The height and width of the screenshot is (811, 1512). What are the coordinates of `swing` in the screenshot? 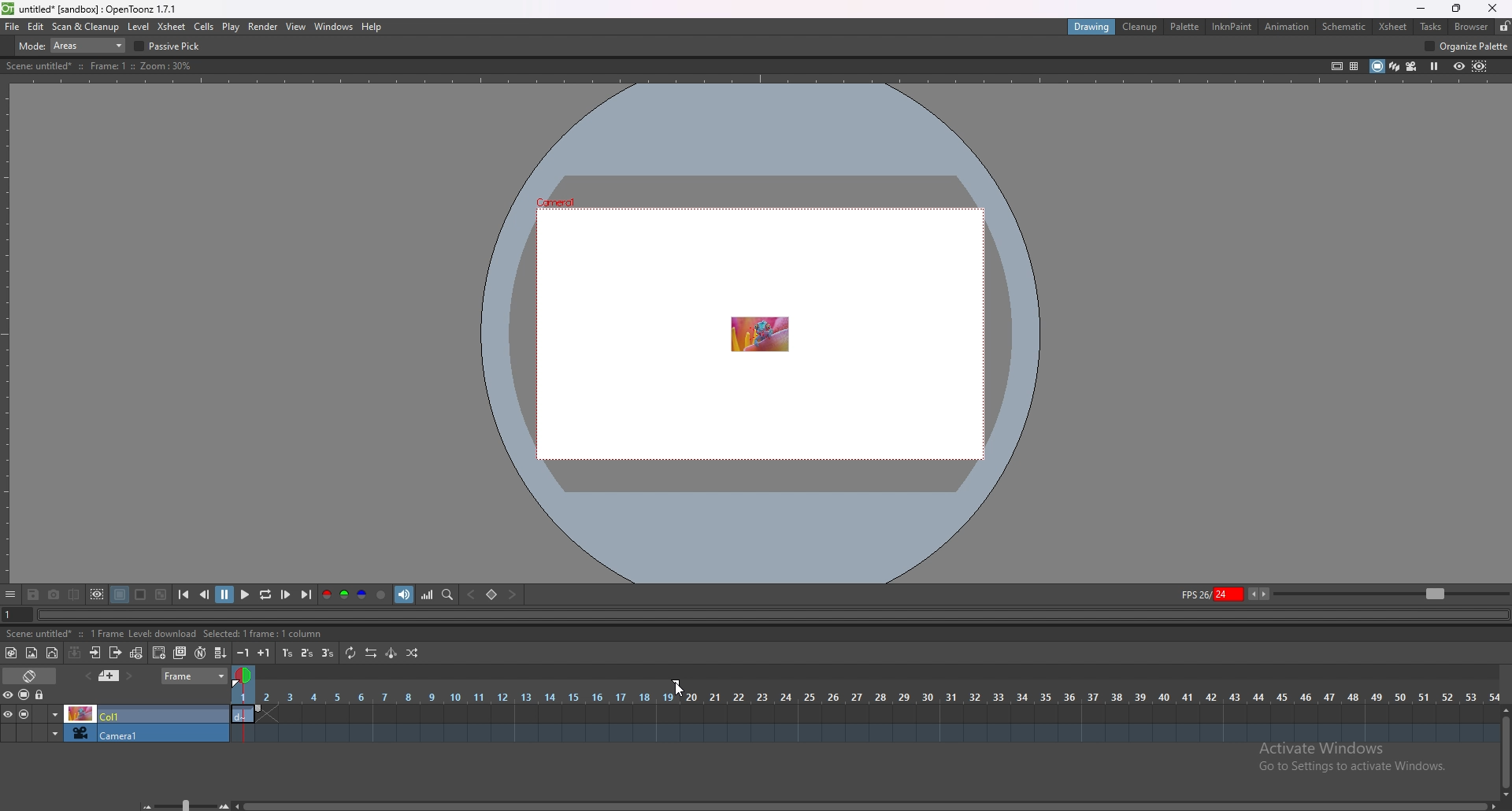 It's located at (392, 652).